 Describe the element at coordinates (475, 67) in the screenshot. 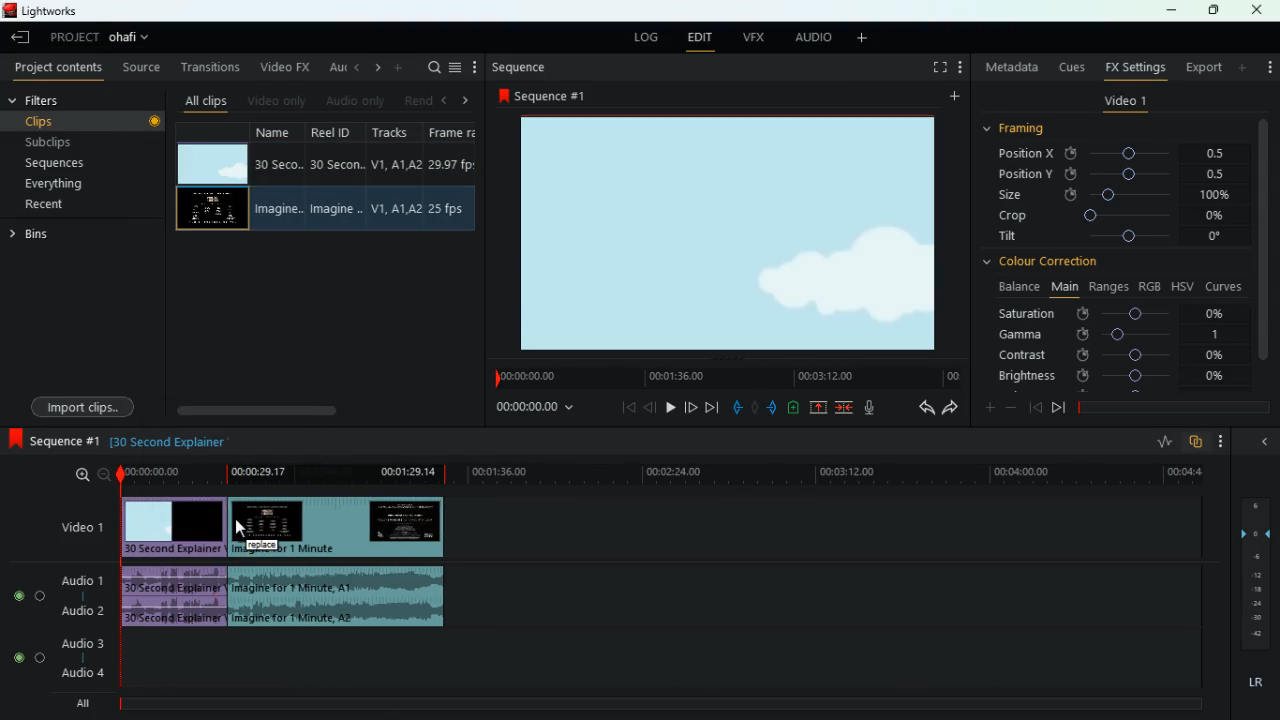

I see `more` at that location.